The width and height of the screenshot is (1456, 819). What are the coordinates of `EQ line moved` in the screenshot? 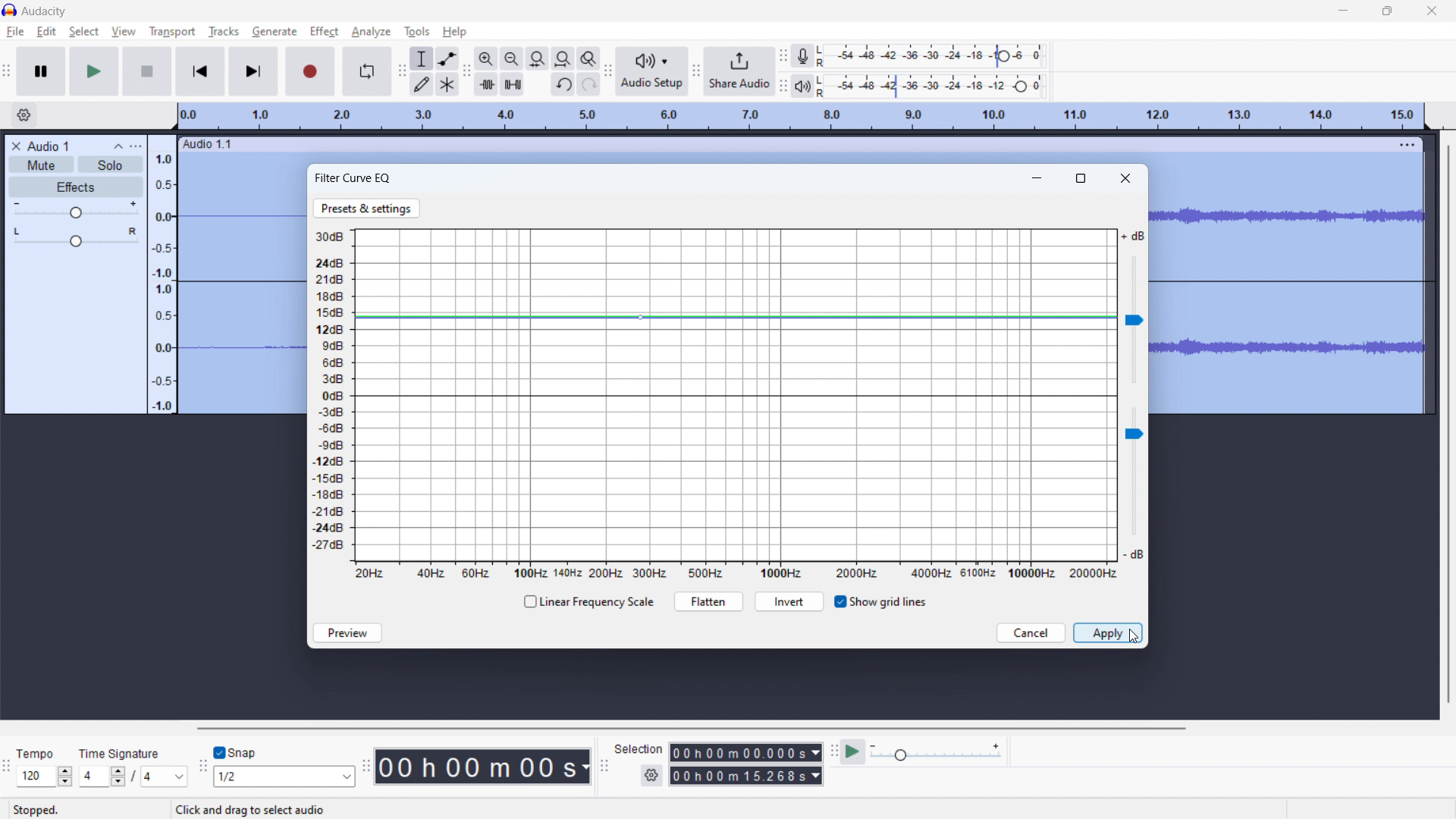 It's located at (736, 317).